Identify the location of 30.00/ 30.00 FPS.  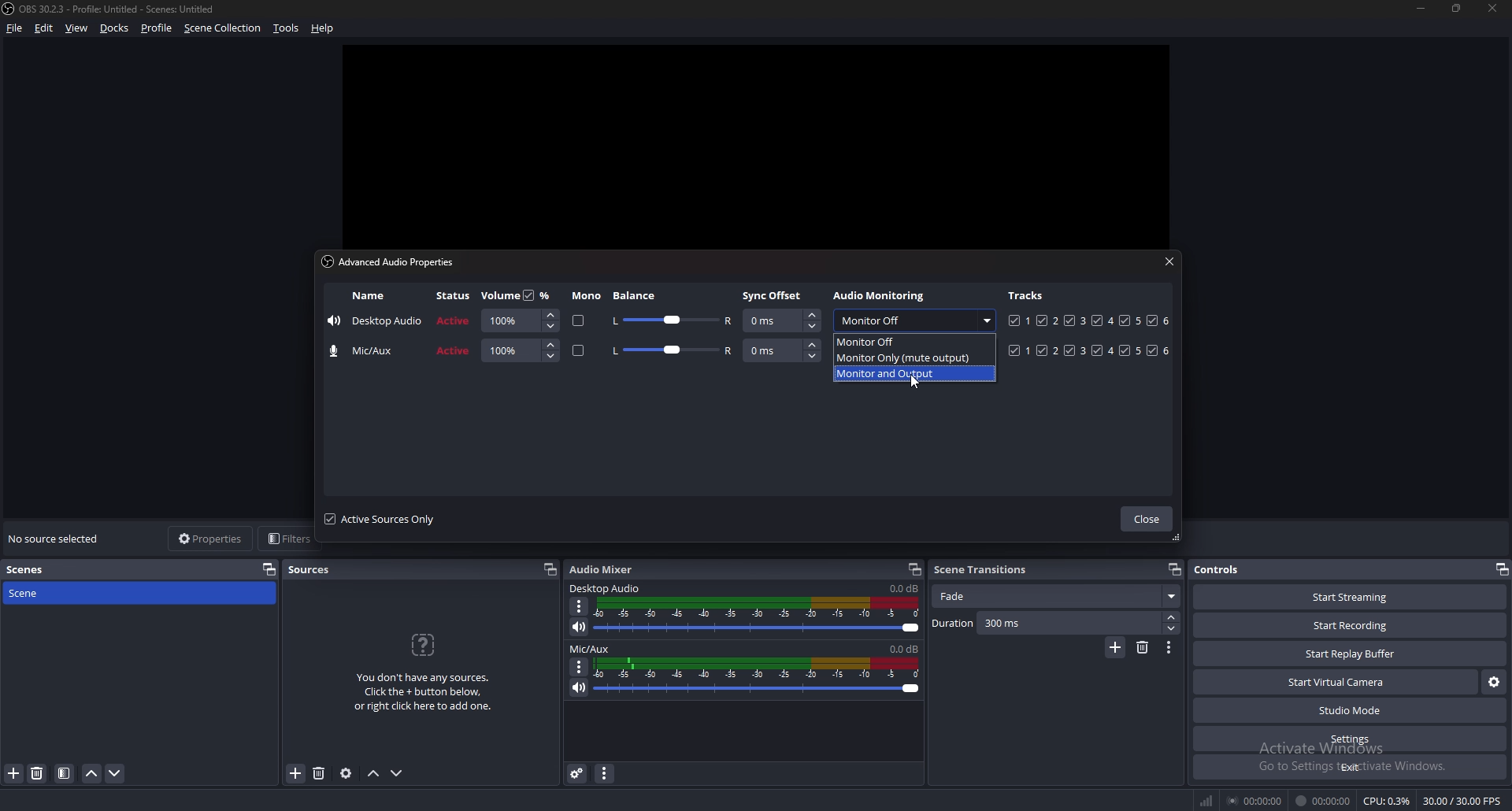
(1465, 800).